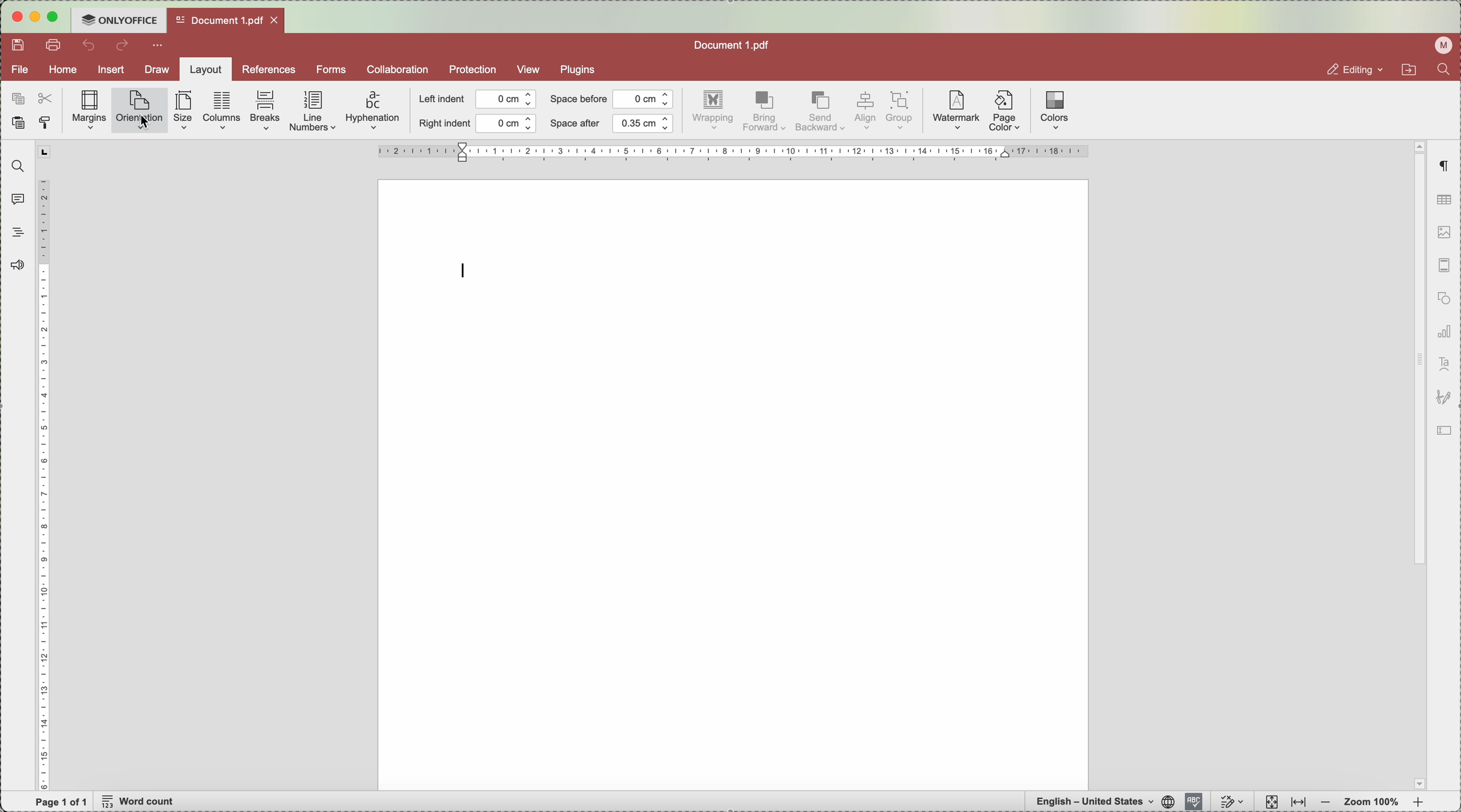 The image size is (1461, 812). Describe the element at coordinates (15, 198) in the screenshot. I see `comments` at that location.